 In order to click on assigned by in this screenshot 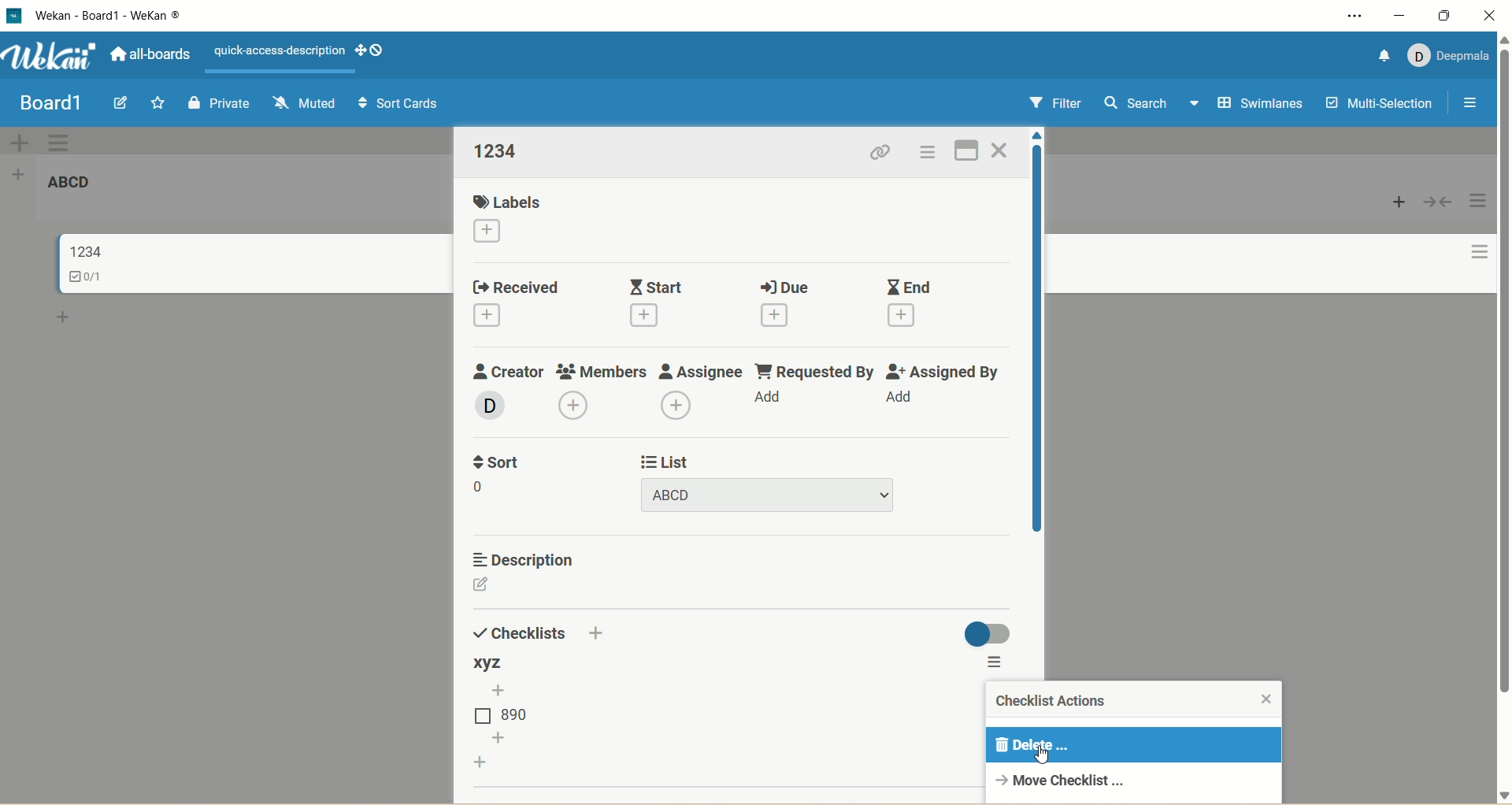, I will do `click(946, 371)`.